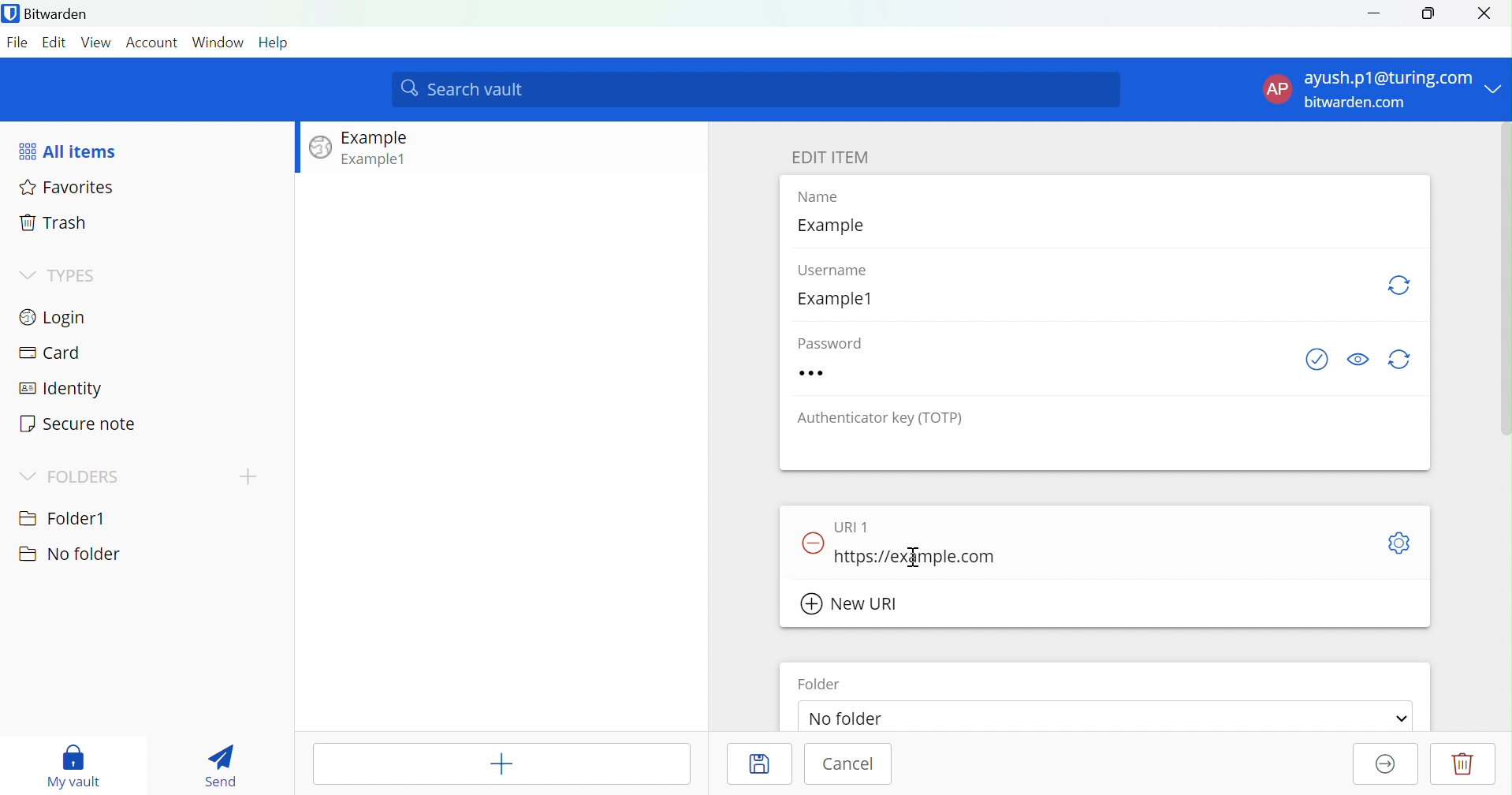 This screenshot has height=795, width=1512. Describe the element at coordinates (814, 540) in the screenshot. I see `Remove URL` at that location.